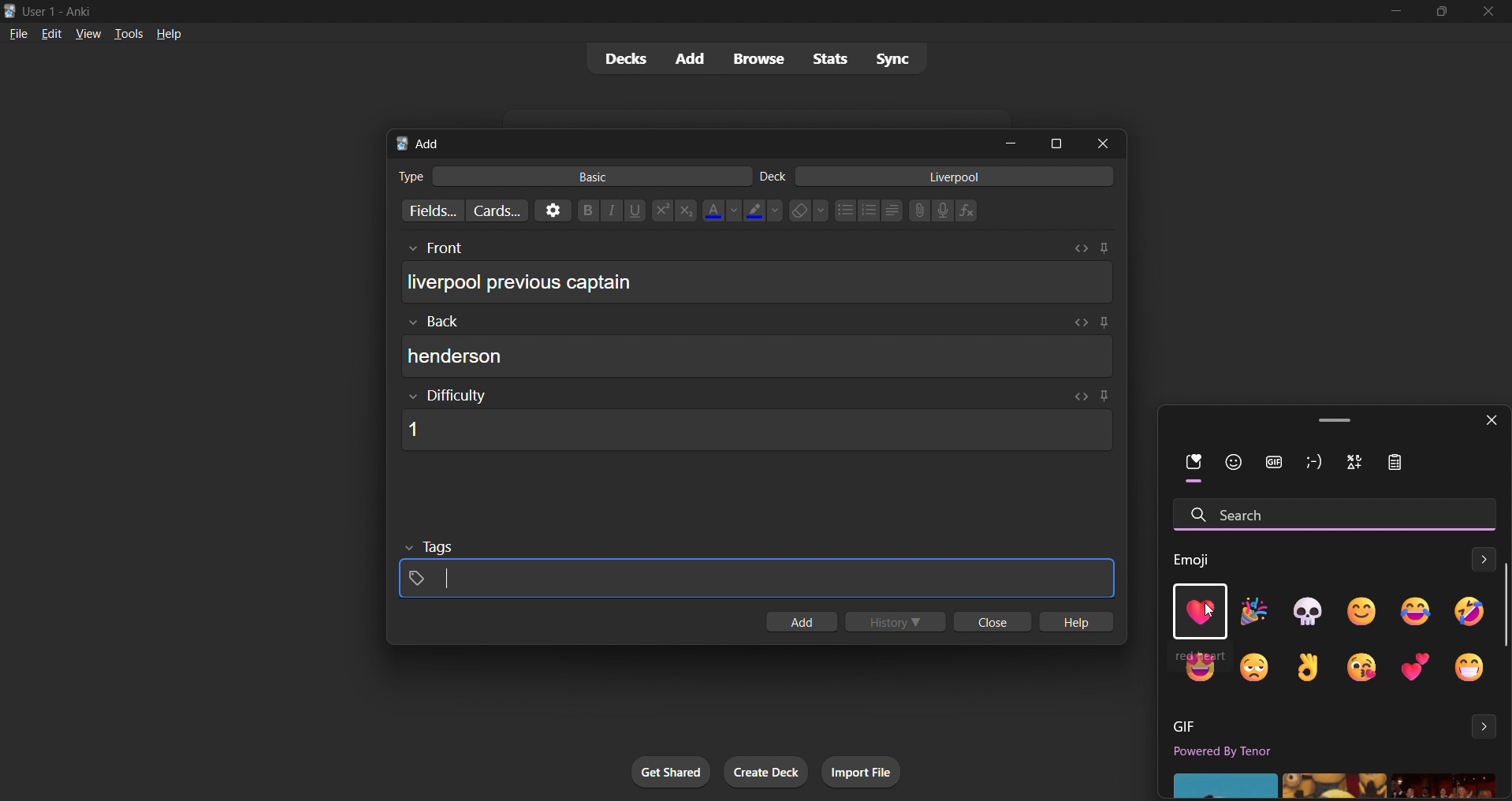 The height and width of the screenshot is (801, 1512). What do you see at coordinates (944, 211) in the screenshot?
I see `microphone` at bounding box center [944, 211].